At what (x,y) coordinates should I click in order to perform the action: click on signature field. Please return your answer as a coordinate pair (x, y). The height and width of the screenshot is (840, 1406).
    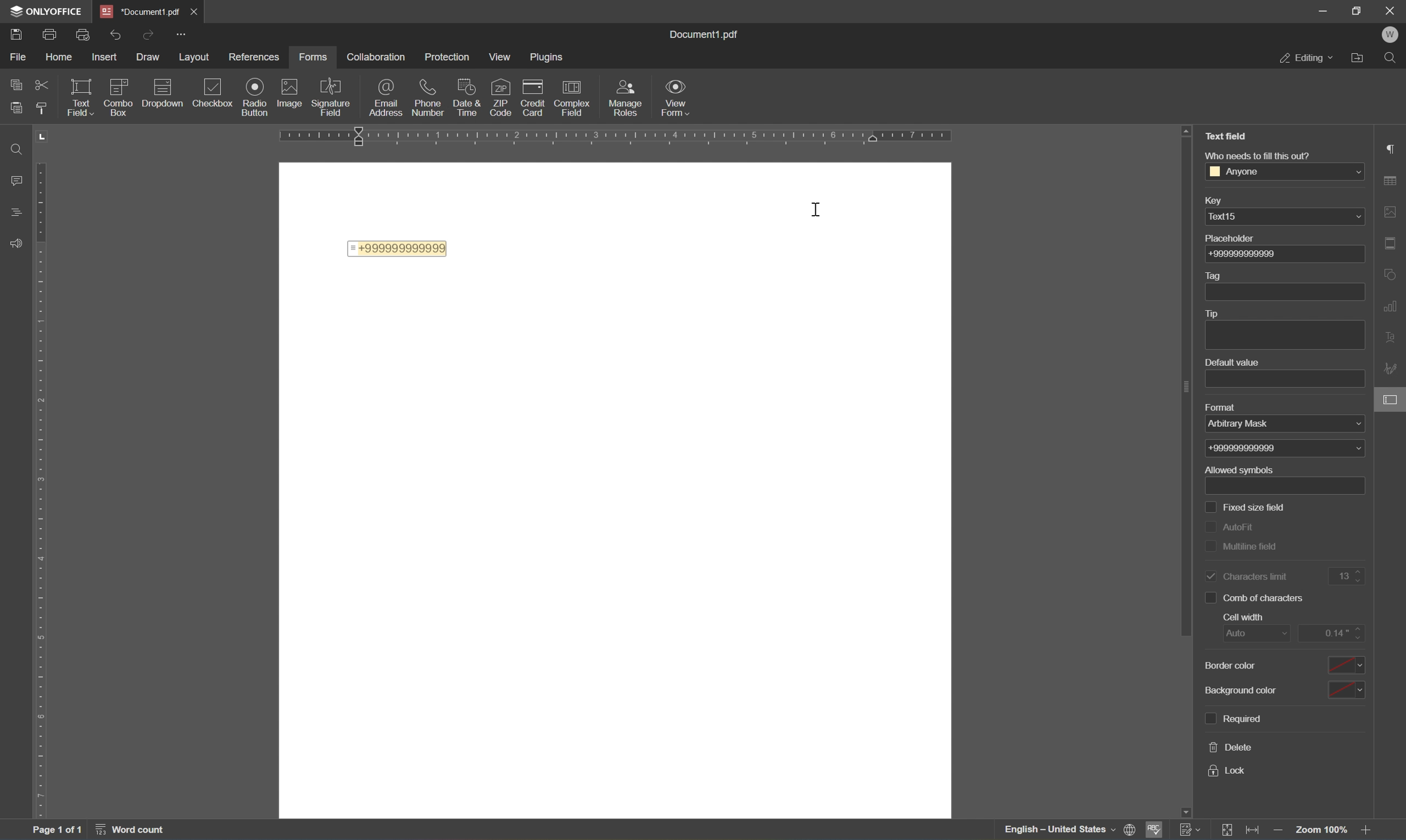
    Looking at the image, I should click on (332, 97).